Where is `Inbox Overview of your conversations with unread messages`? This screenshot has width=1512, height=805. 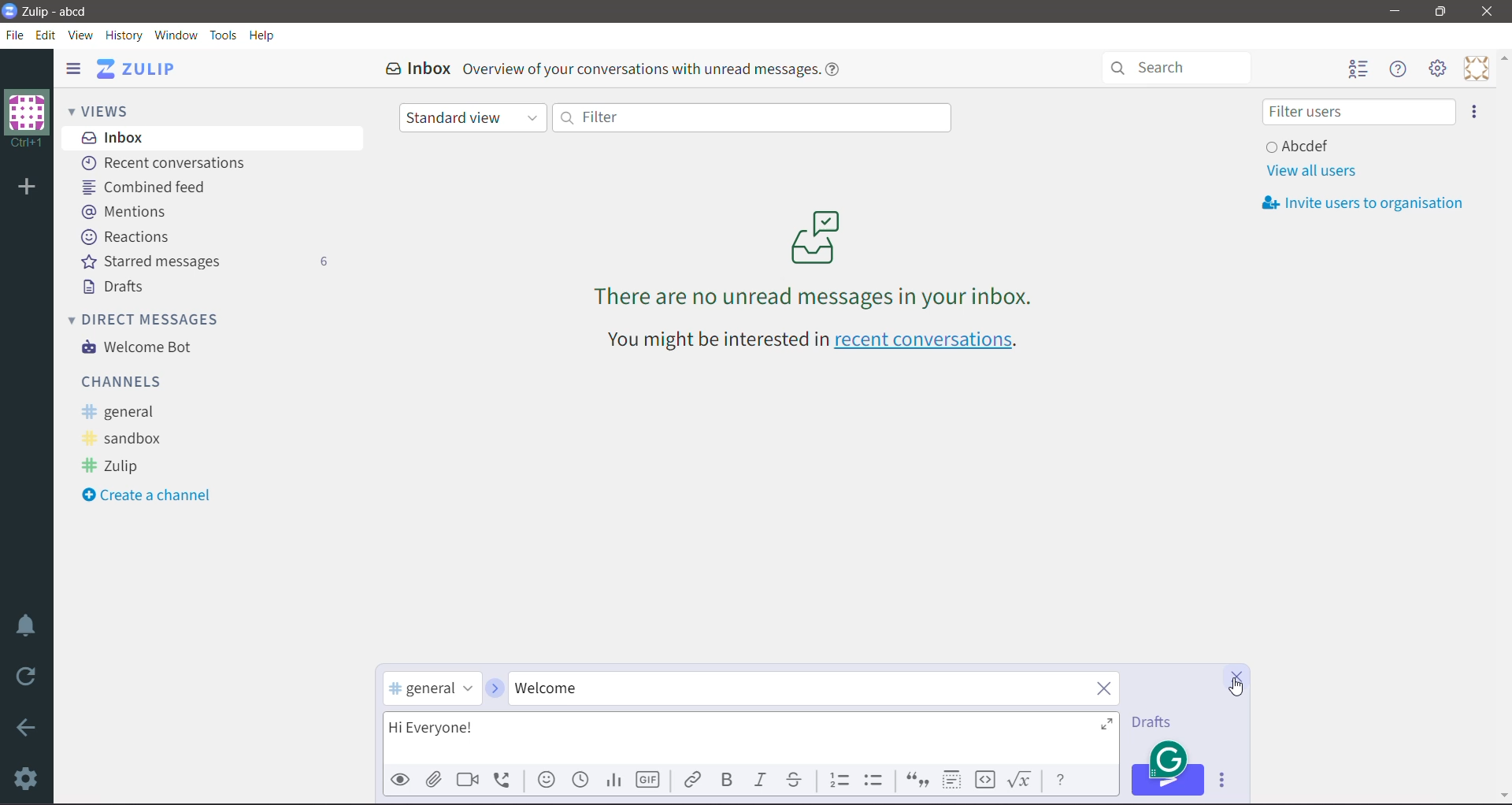
Inbox Overview of your conversations with unread messages is located at coordinates (618, 69).